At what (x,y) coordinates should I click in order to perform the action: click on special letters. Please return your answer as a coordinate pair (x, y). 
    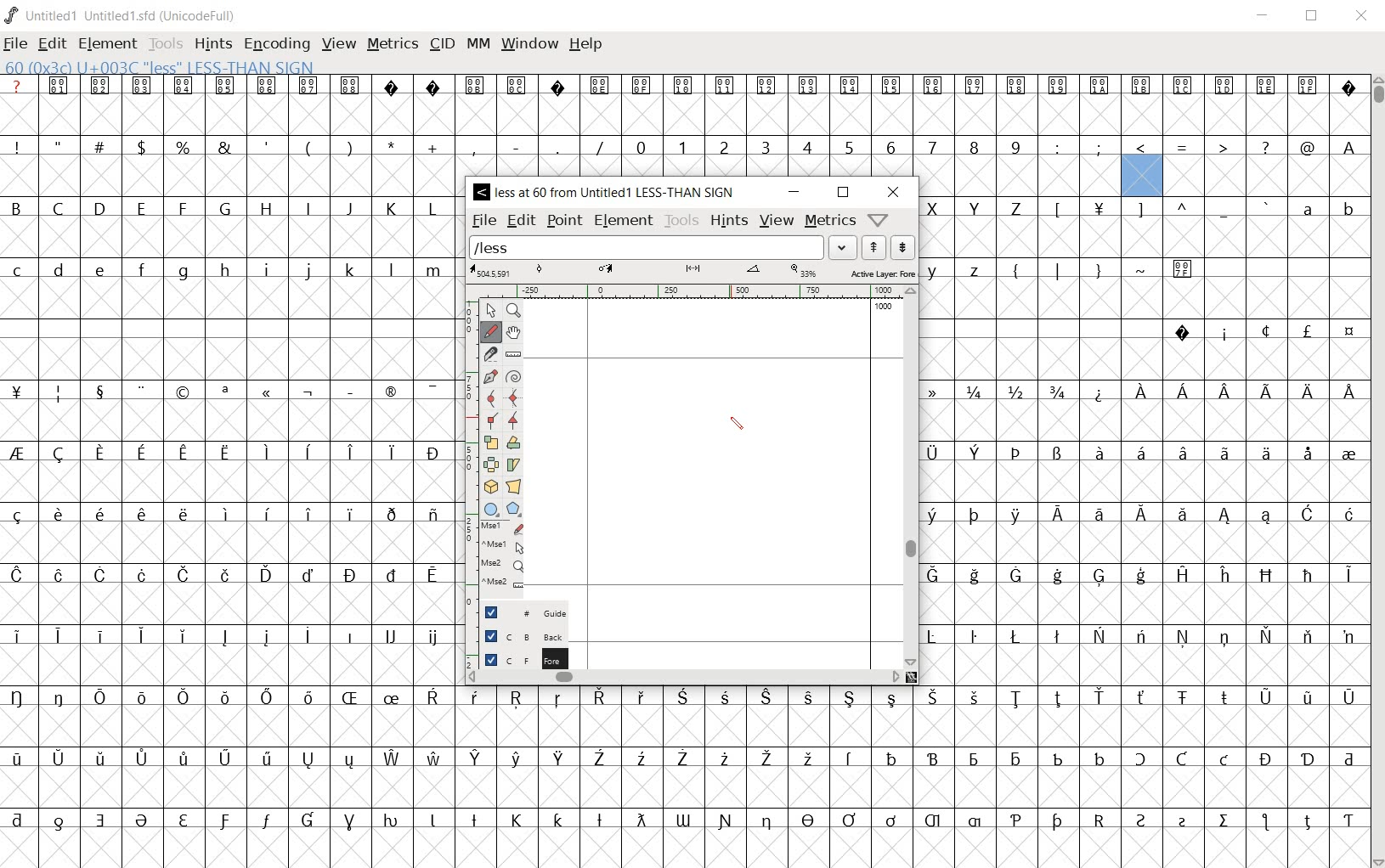
    Looking at the image, I should click on (1144, 513).